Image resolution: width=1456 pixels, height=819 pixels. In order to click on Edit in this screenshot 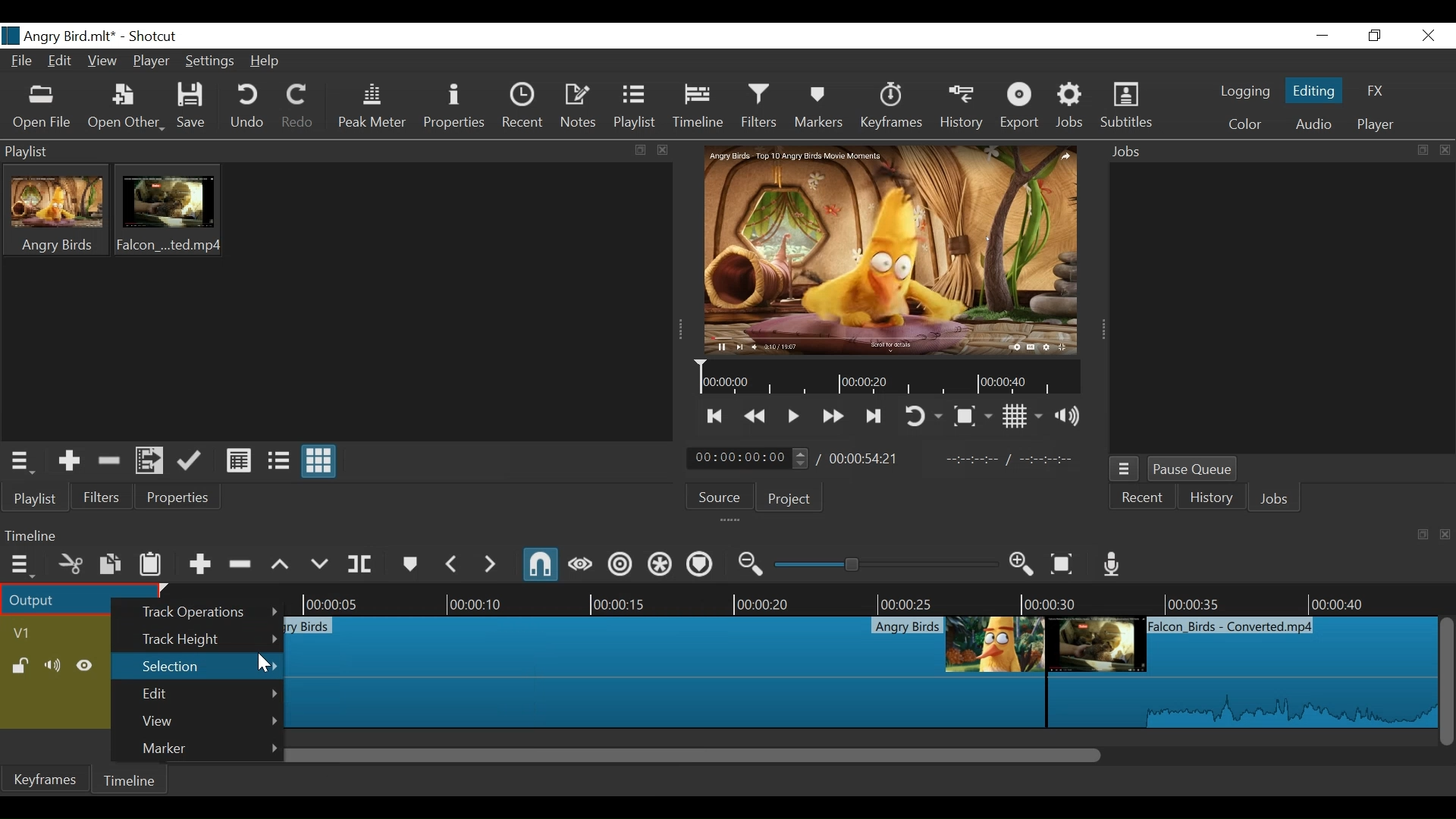, I will do `click(210, 695)`.